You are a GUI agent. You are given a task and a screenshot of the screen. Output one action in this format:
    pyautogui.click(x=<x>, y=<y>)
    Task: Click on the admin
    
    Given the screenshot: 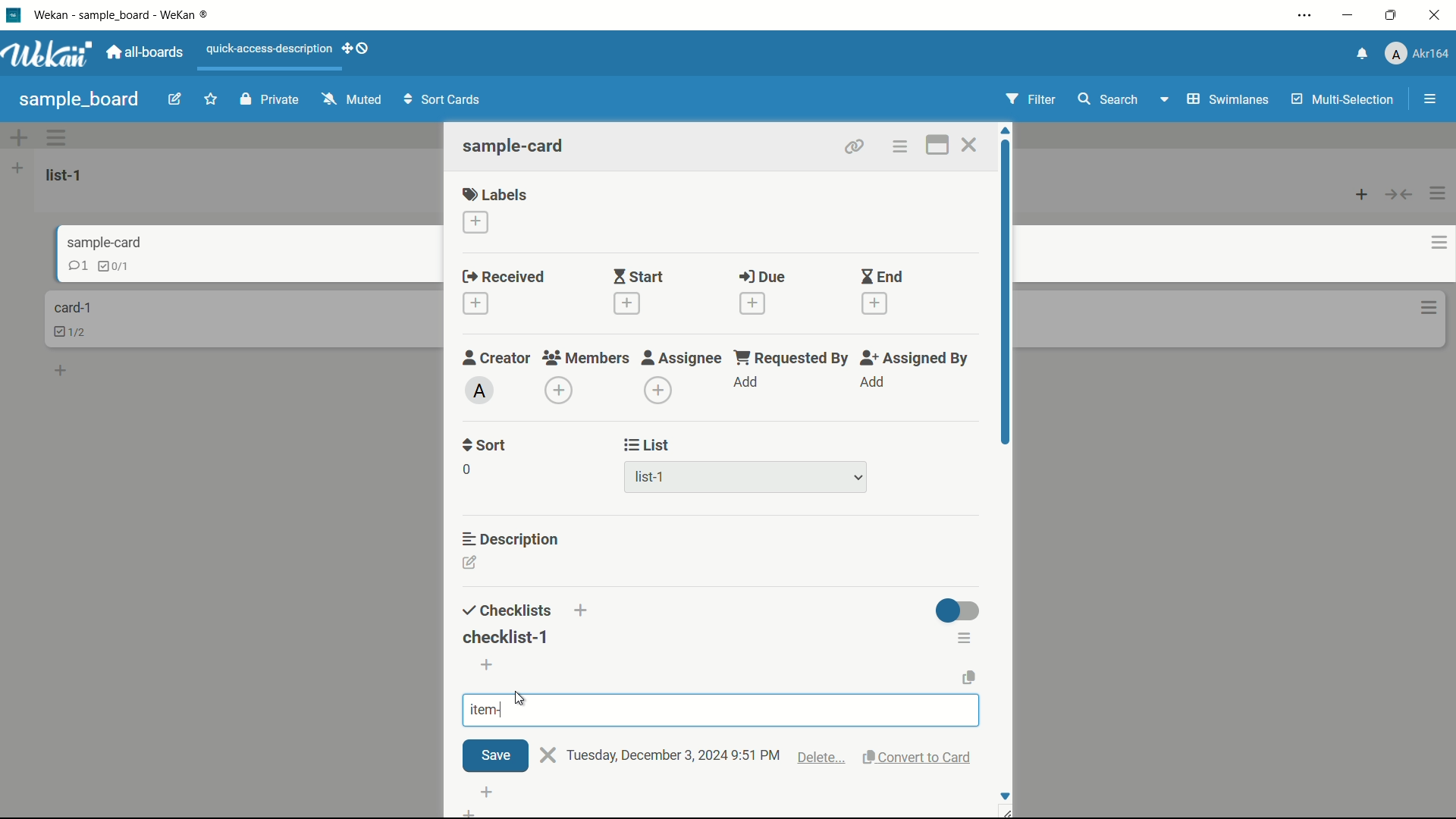 What is the action you would take?
    pyautogui.click(x=480, y=390)
    